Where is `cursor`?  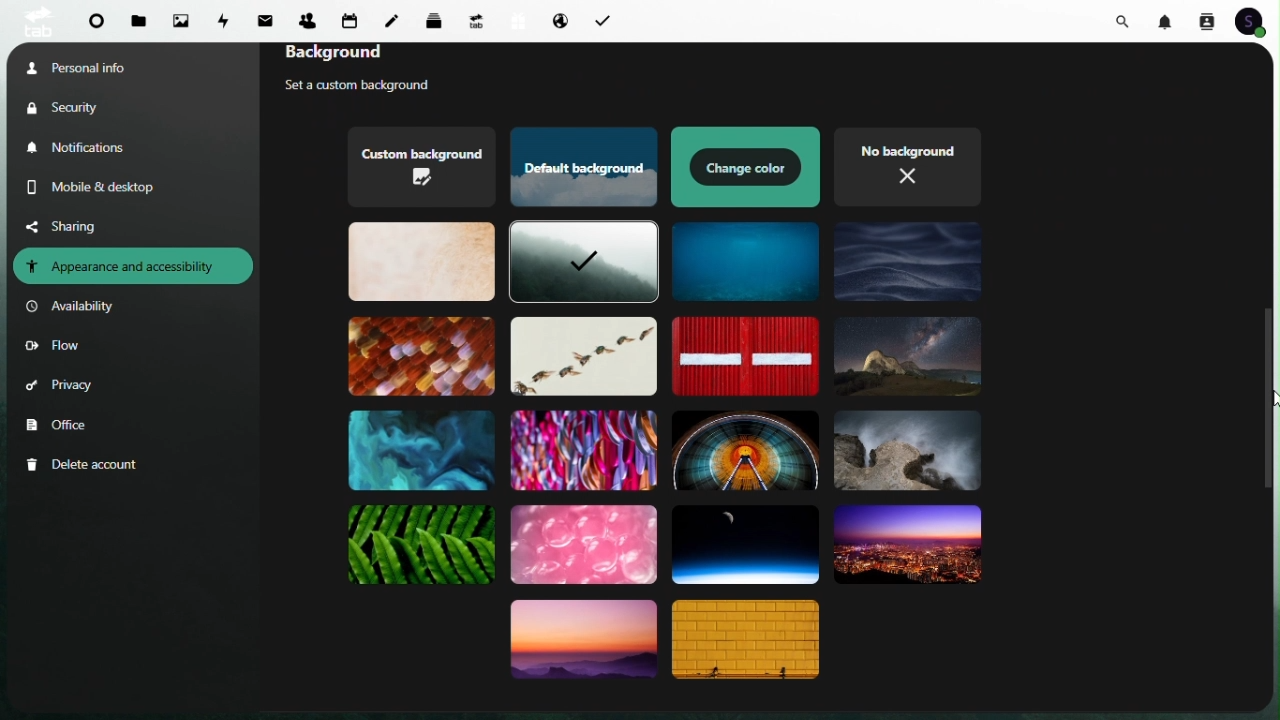 cursor is located at coordinates (1272, 401).